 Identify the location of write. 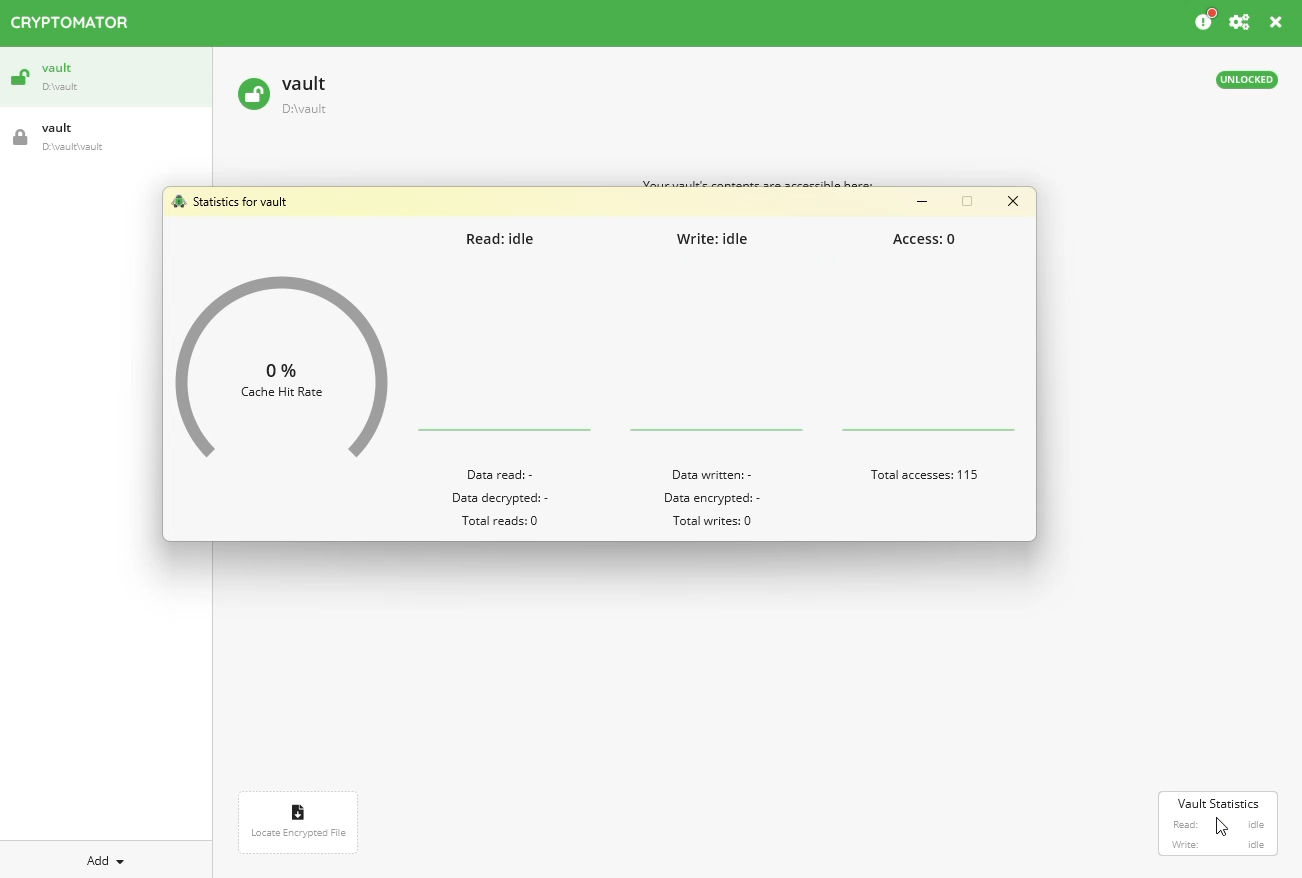
(1185, 845).